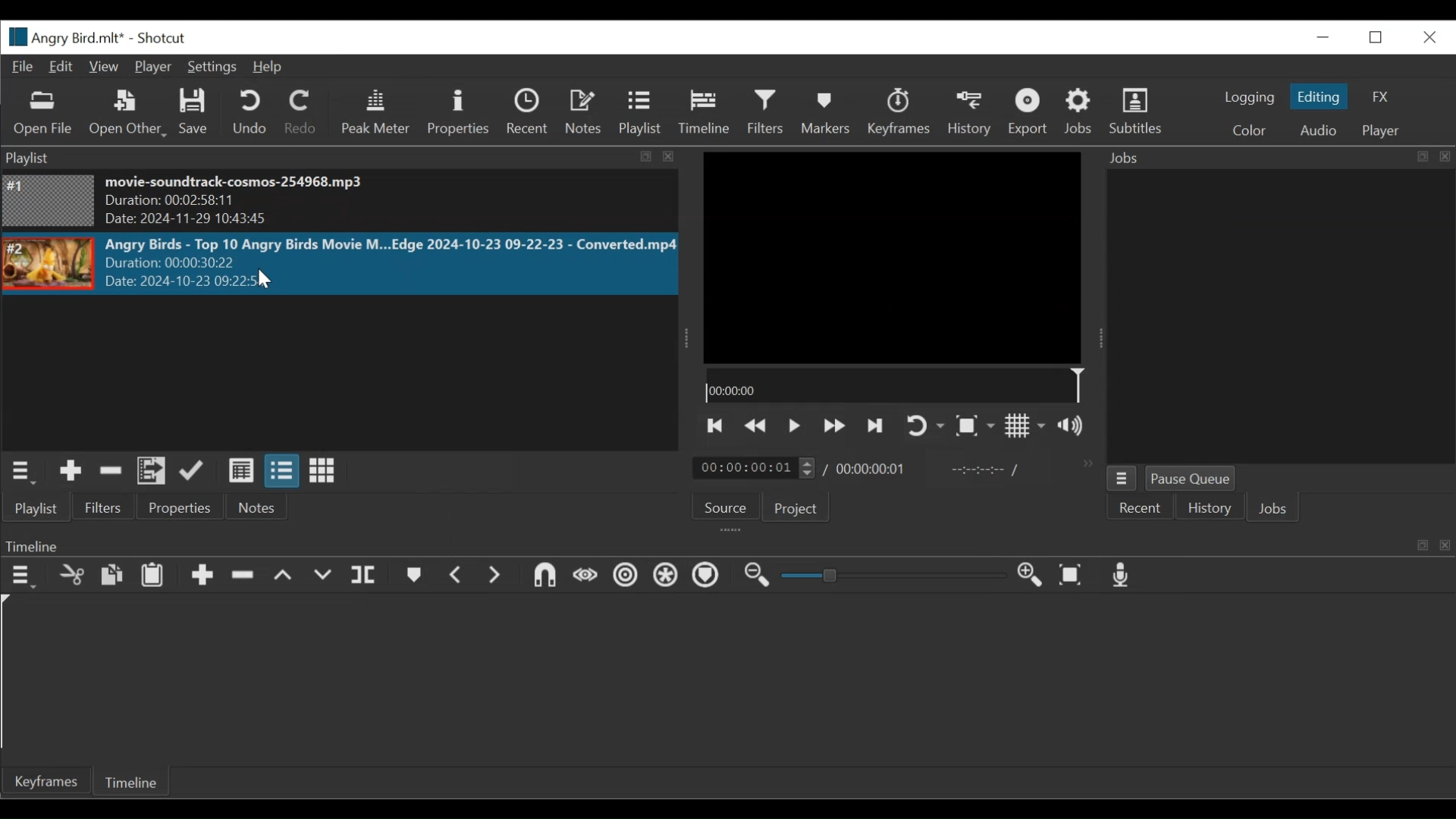  What do you see at coordinates (458, 111) in the screenshot?
I see `Properties` at bounding box center [458, 111].